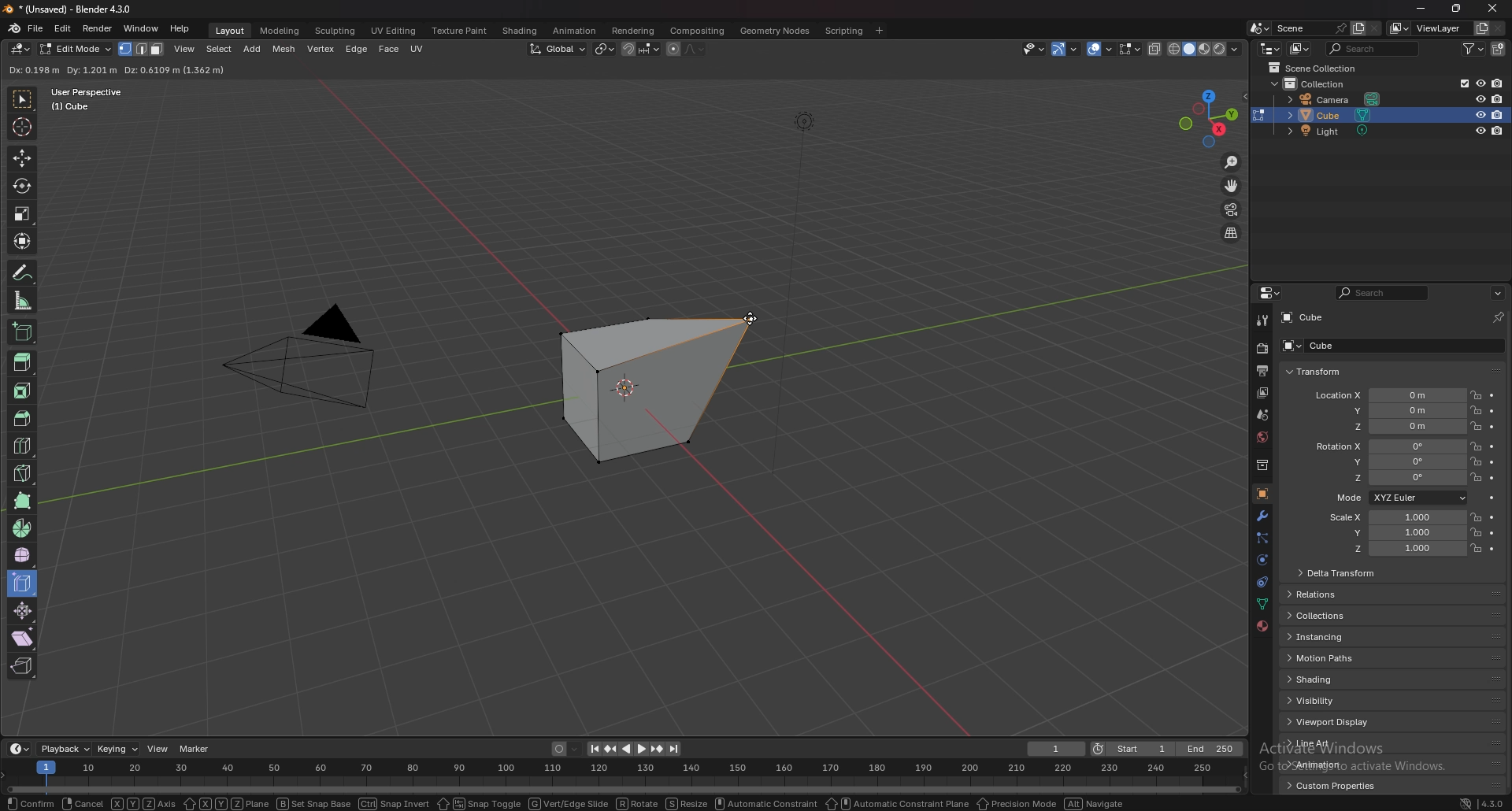  Describe the element at coordinates (13, 28) in the screenshot. I see `blender` at that location.